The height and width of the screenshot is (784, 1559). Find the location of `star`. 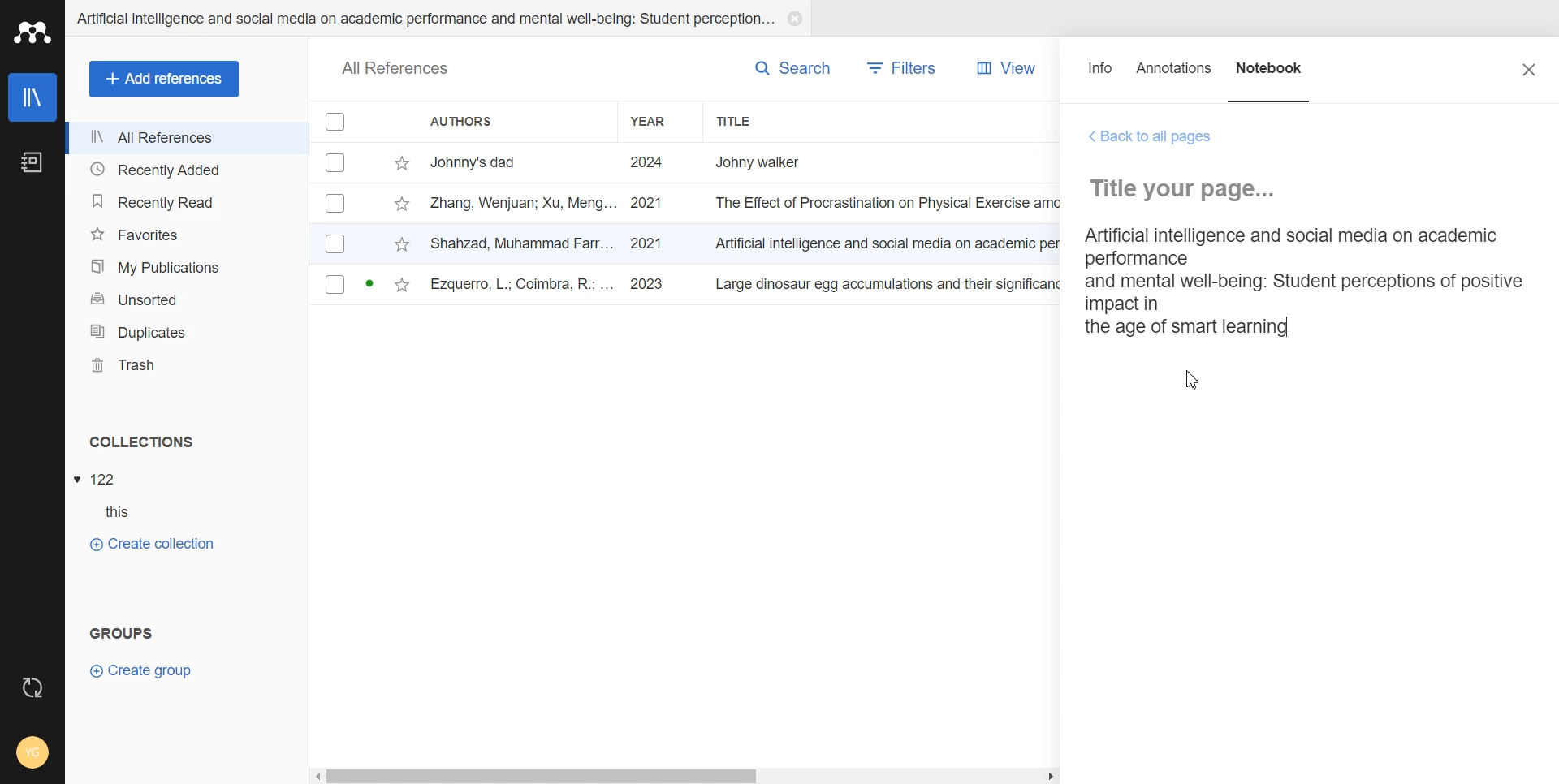

star is located at coordinates (401, 205).